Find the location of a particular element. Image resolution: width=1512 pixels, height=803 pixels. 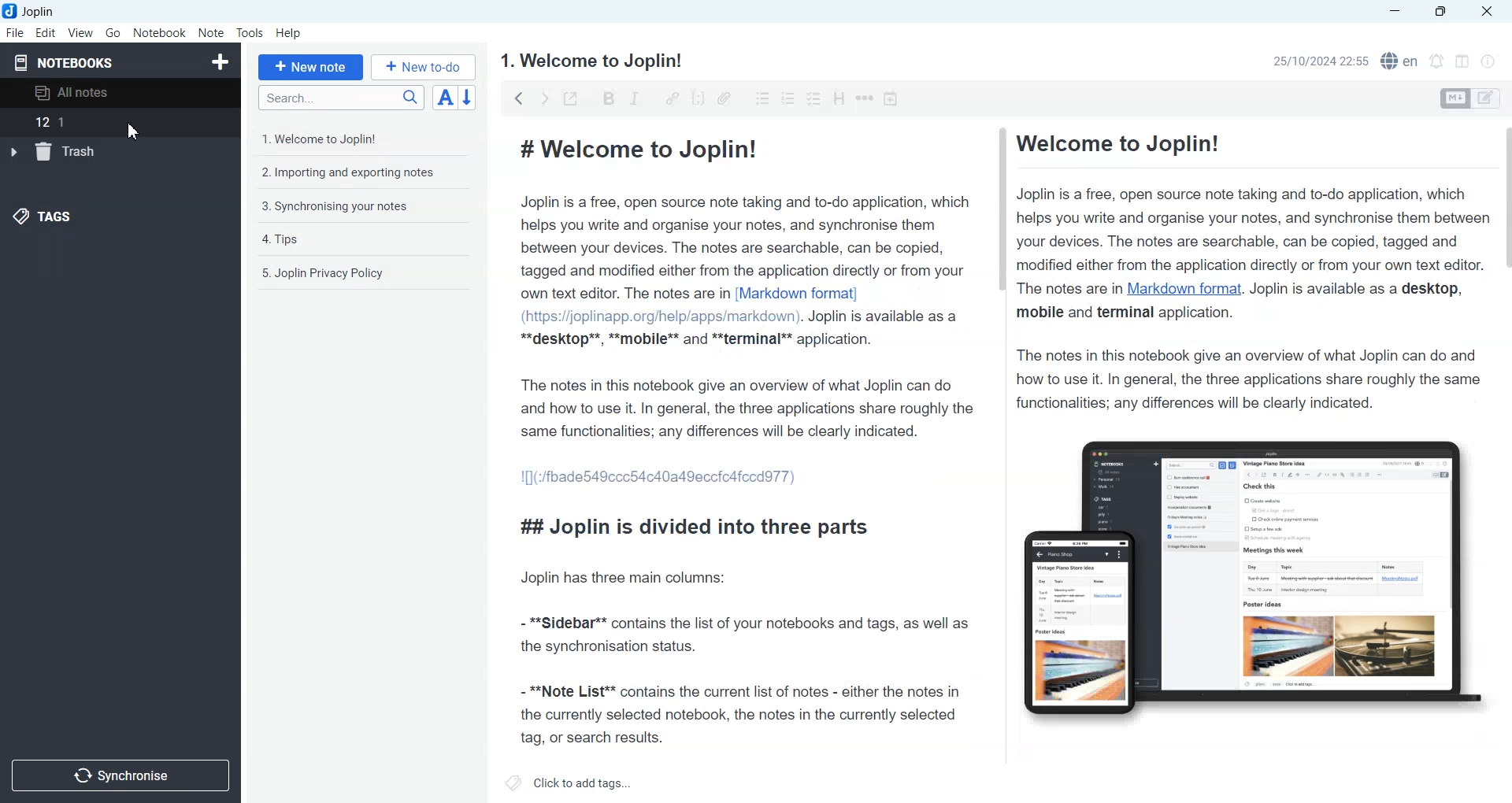

Search bar is located at coordinates (341, 98).